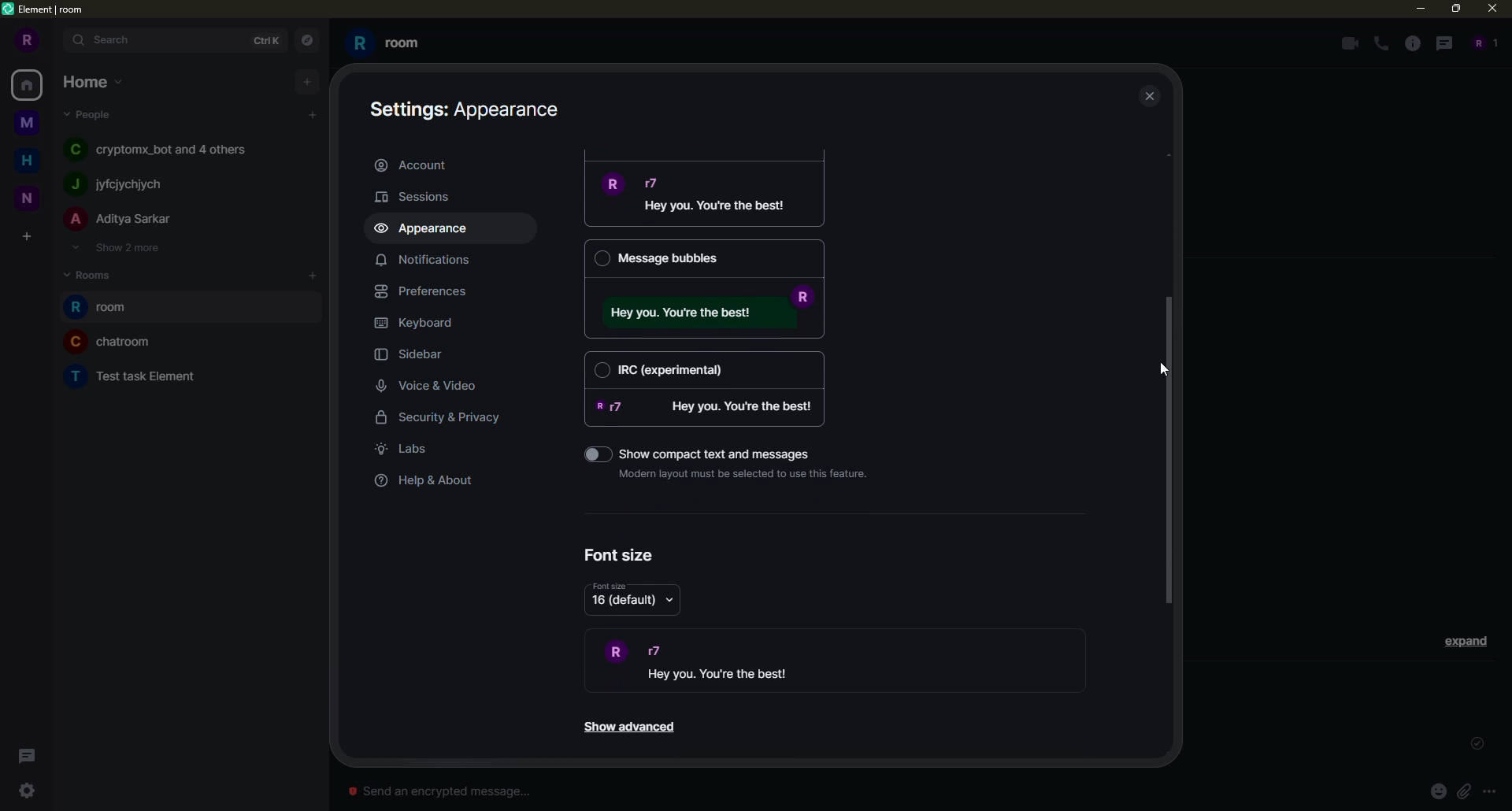 The width and height of the screenshot is (1512, 811). What do you see at coordinates (422, 196) in the screenshot?
I see `sessions` at bounding box center [422, 196].